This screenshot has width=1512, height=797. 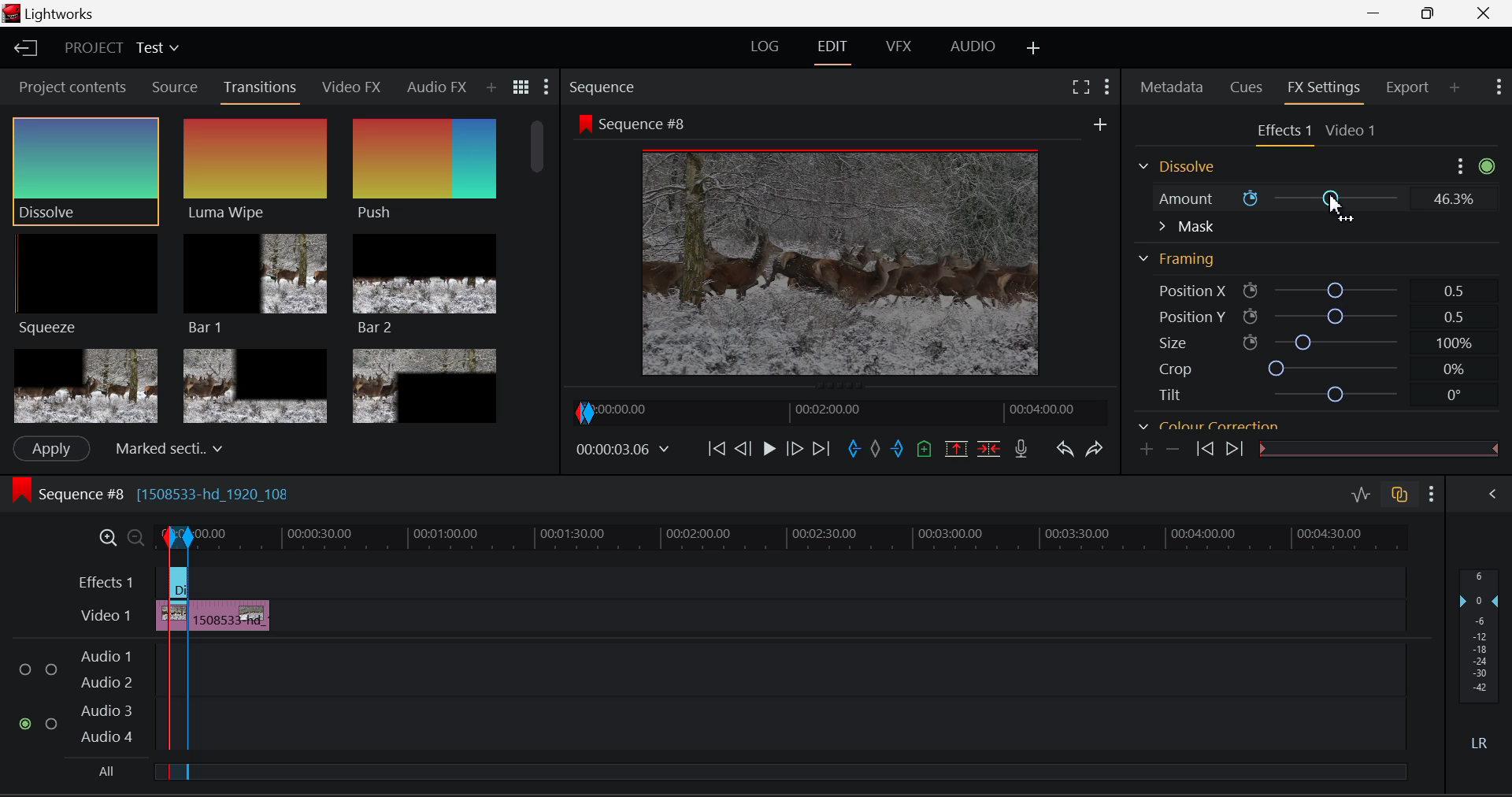 What do you see at coordinates (1485, 13) in the screenshot?
I see `Close` at bounding box center [1485, 13].